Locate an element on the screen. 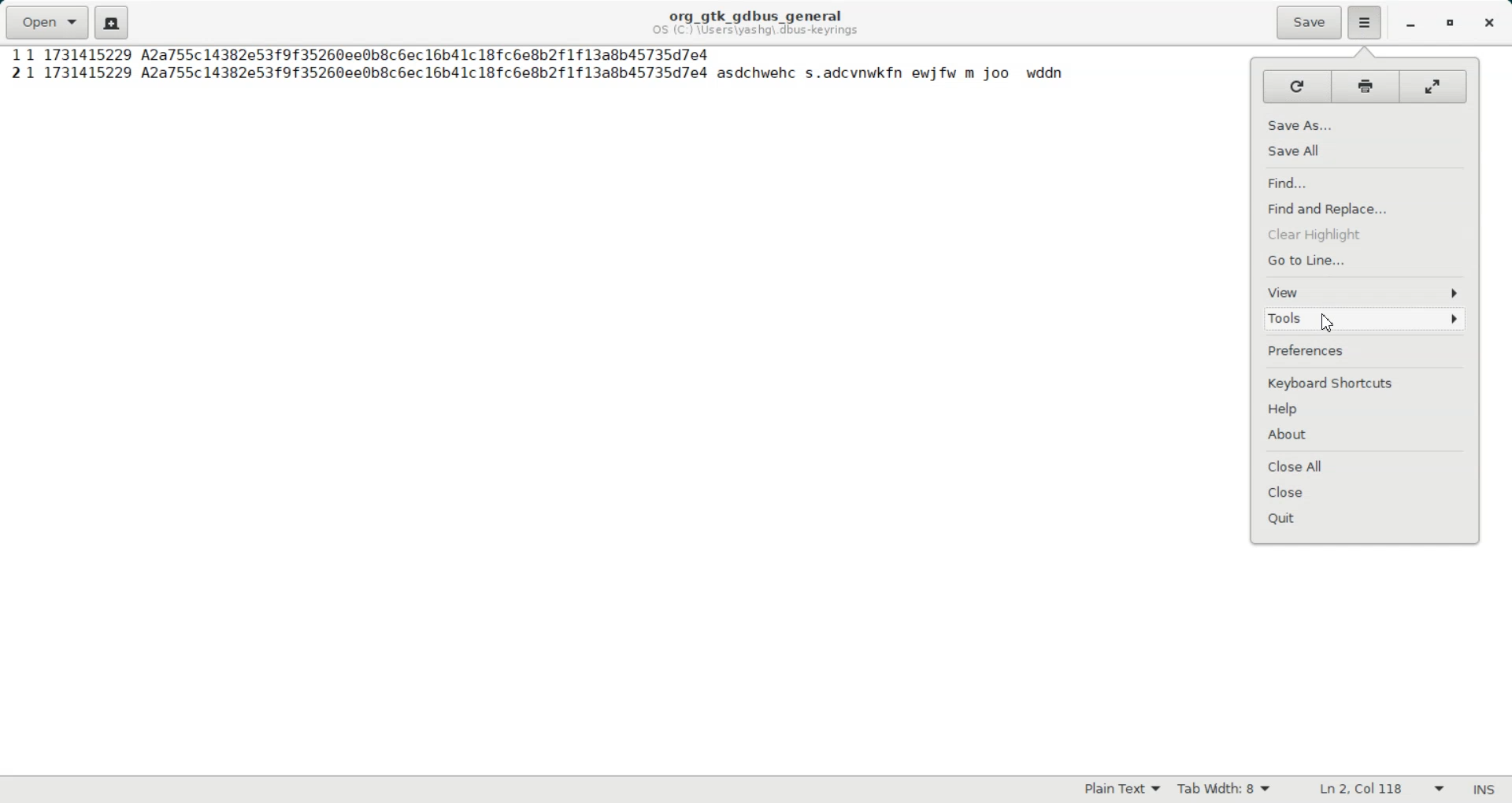  1 1731415229 A2a755c14382e53f9f35260ee0b8cbec16b41c18fc6e8b2f1f13a8b45735d7e4
1 1731415229 A2a755c14382e53f9f35260ee0b8cbec16b41c18fc6e8b2f1f13a8b45735d7e4 asdchwehc s.adcvnwkfn ewjfw m joo wddn is located at coordinates (547, 67).